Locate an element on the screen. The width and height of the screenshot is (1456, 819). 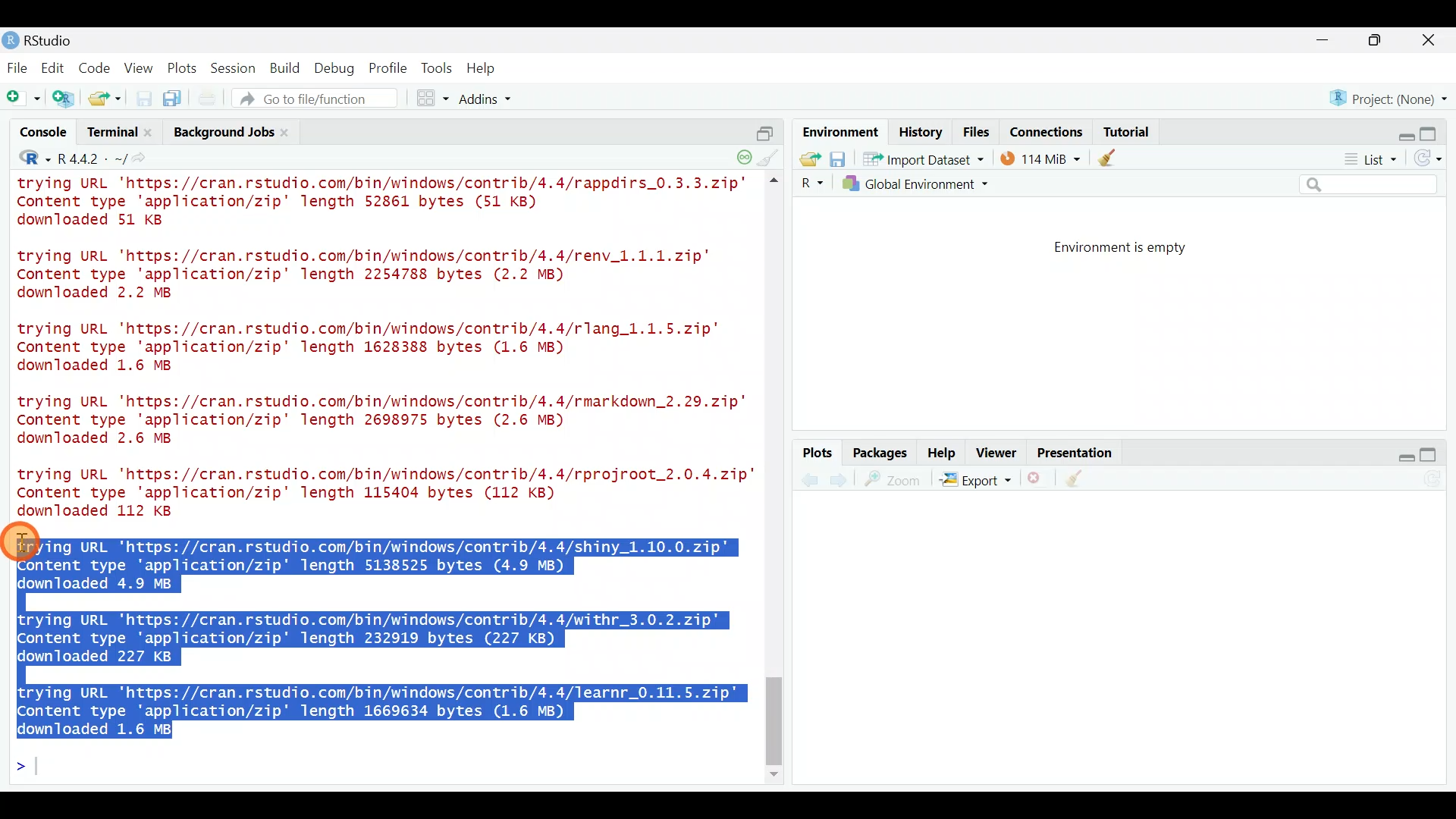
Project (none) is located at coordinates (1393, 96).